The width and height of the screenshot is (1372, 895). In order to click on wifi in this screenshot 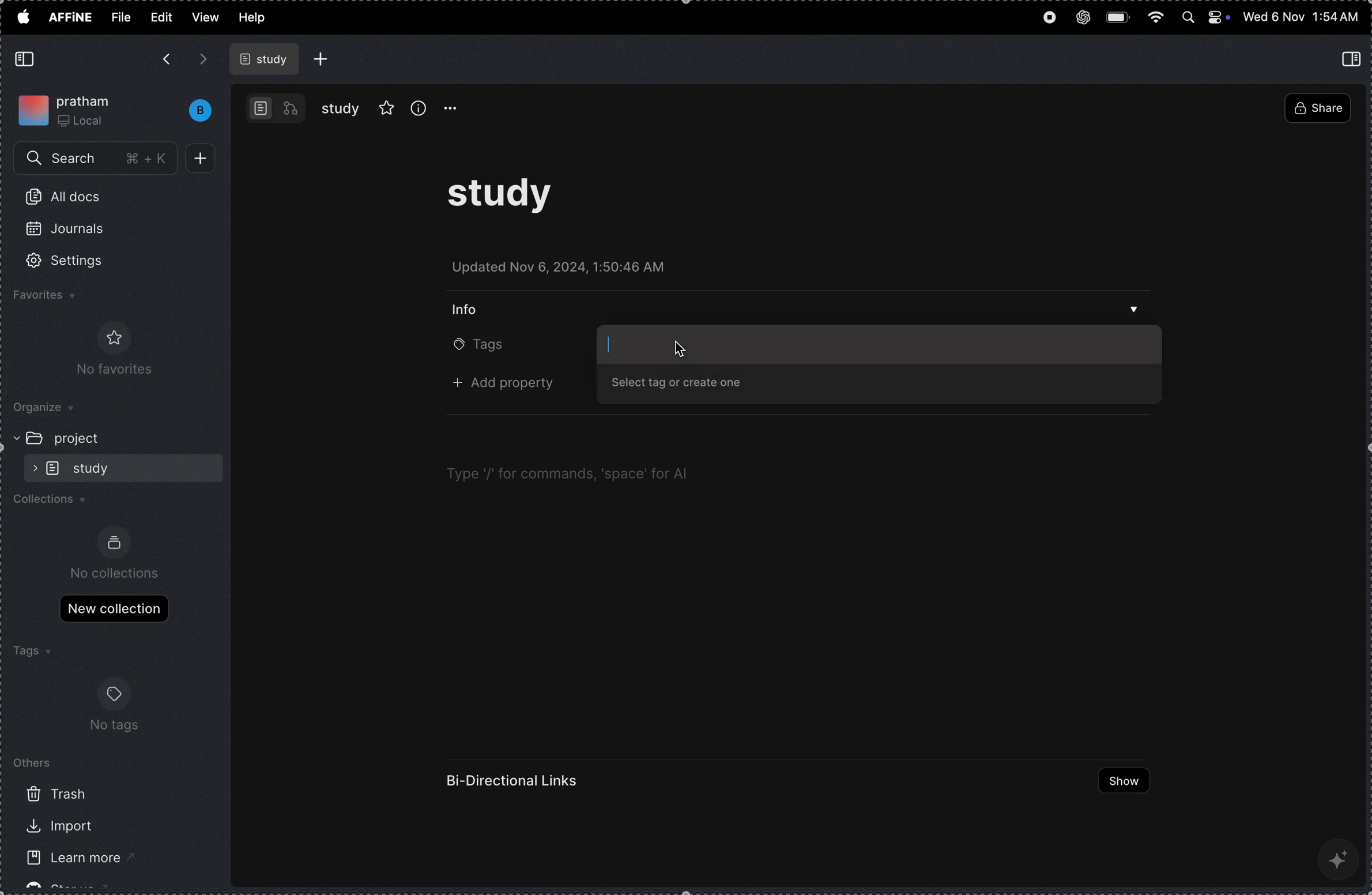, I will do `click(1156, 18)`.